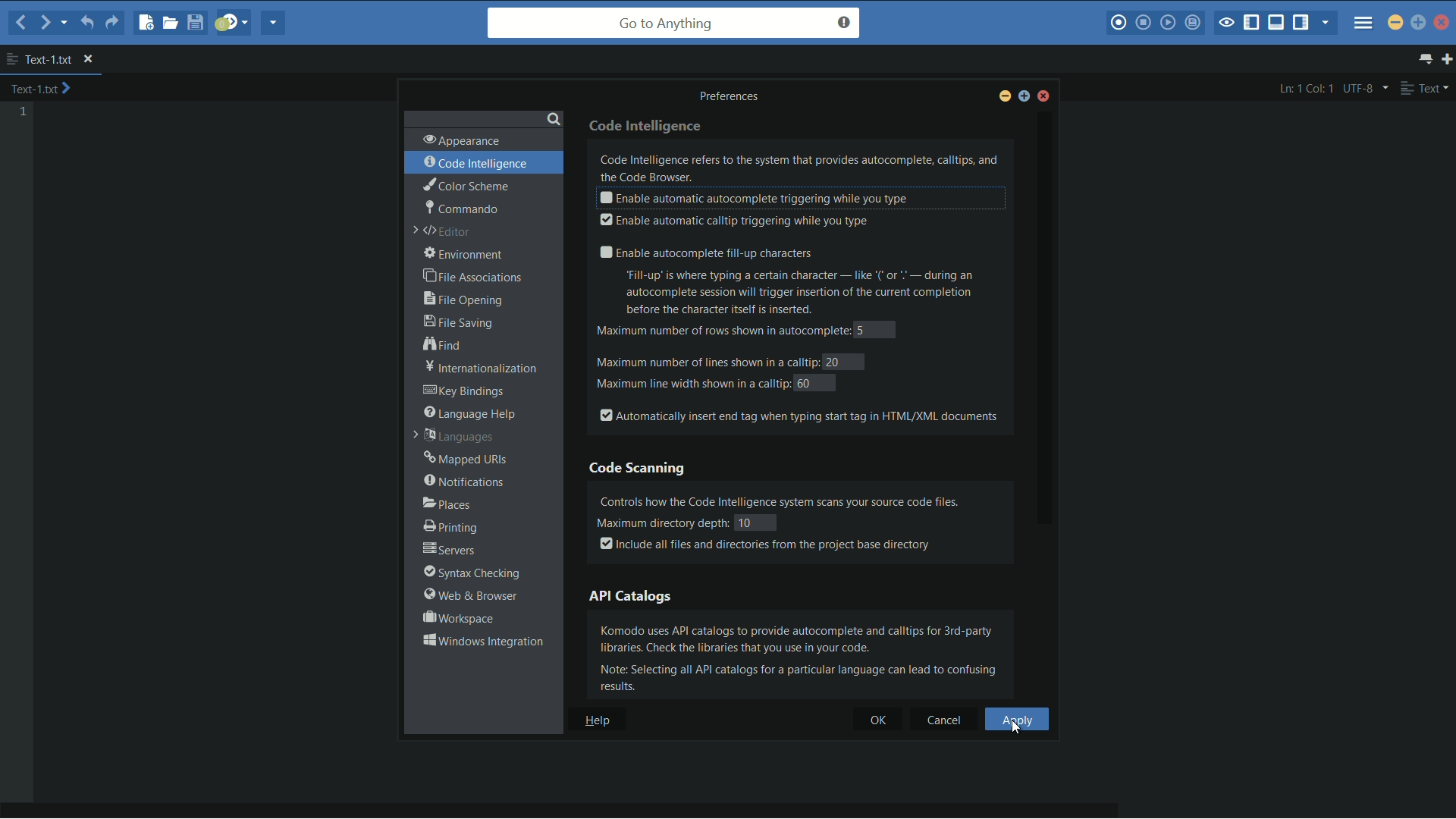 This screenshot has width=1456, height=819. What do you see at coordinates (111, 25) in the screenshot?
I see `redo` at bounding box center [111, 25].